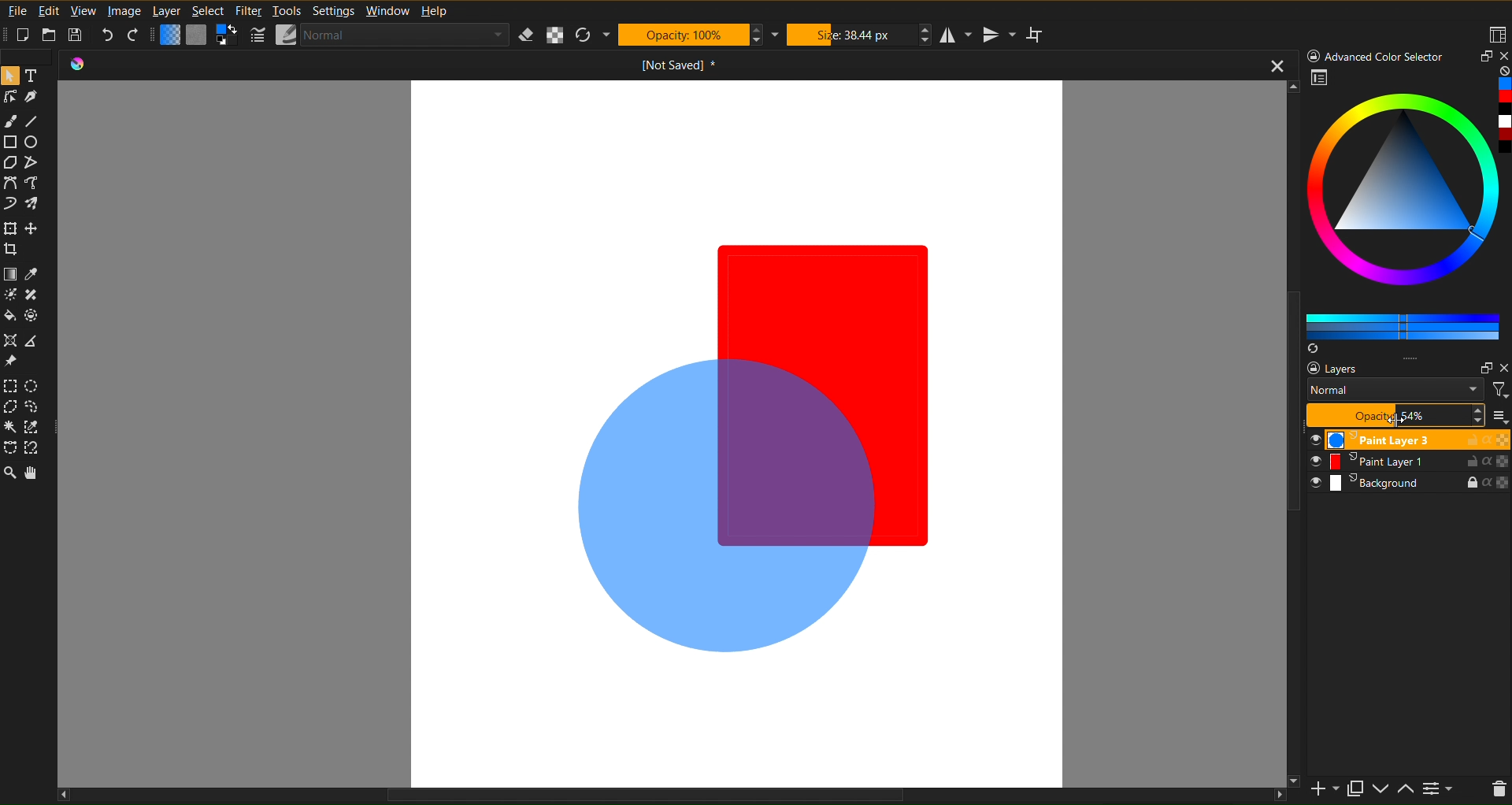 This screenshot has height=805, width=1512. What do you see at coordinates (32, 426) in the screenshot?
I see `Selection Tool` at bounding box center [32, 426].